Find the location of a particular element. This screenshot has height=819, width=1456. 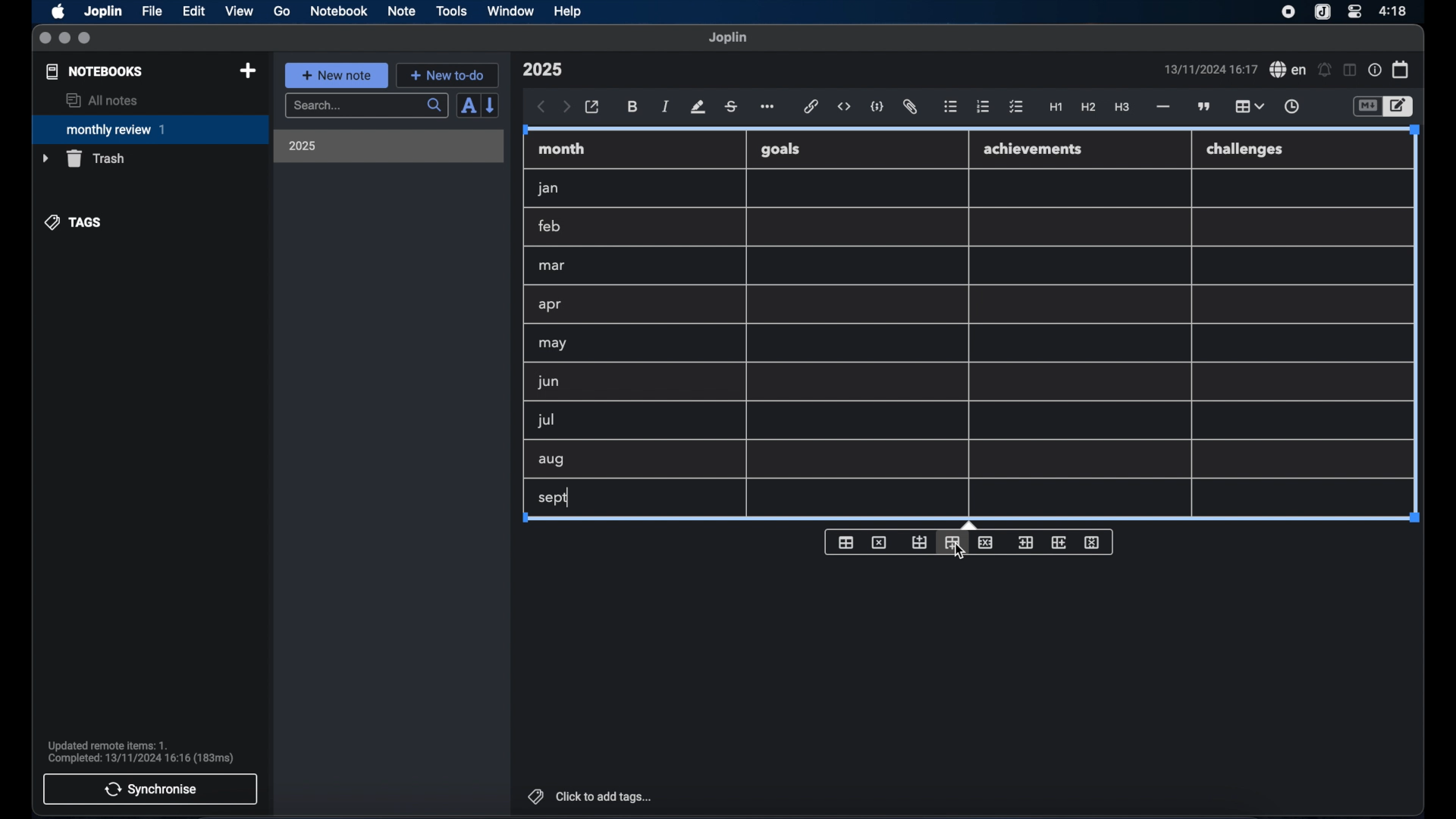

mar is located at coordinates (553, 266).